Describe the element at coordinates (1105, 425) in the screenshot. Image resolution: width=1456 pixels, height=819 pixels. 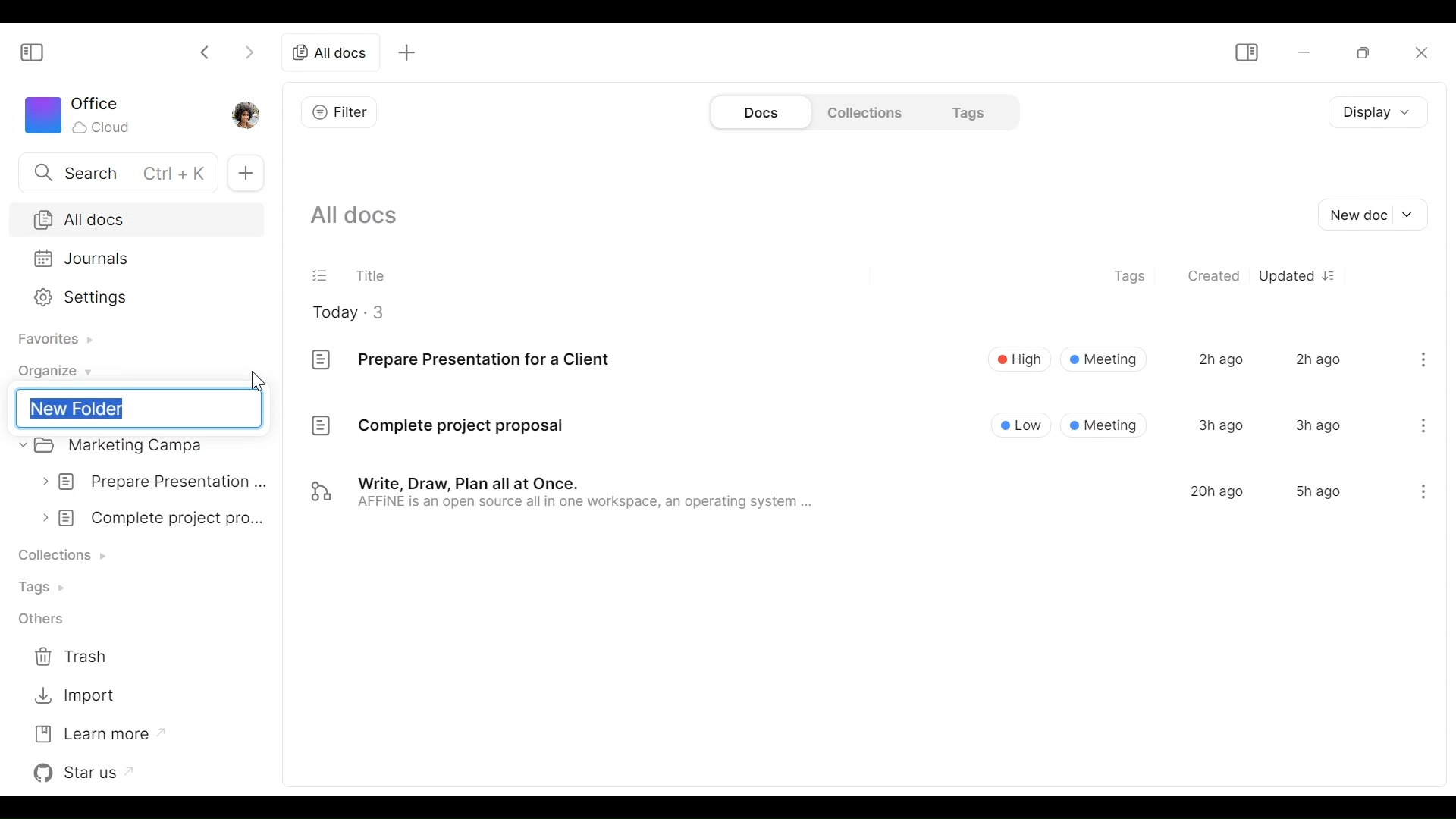
I see `® Meeting` at that location.